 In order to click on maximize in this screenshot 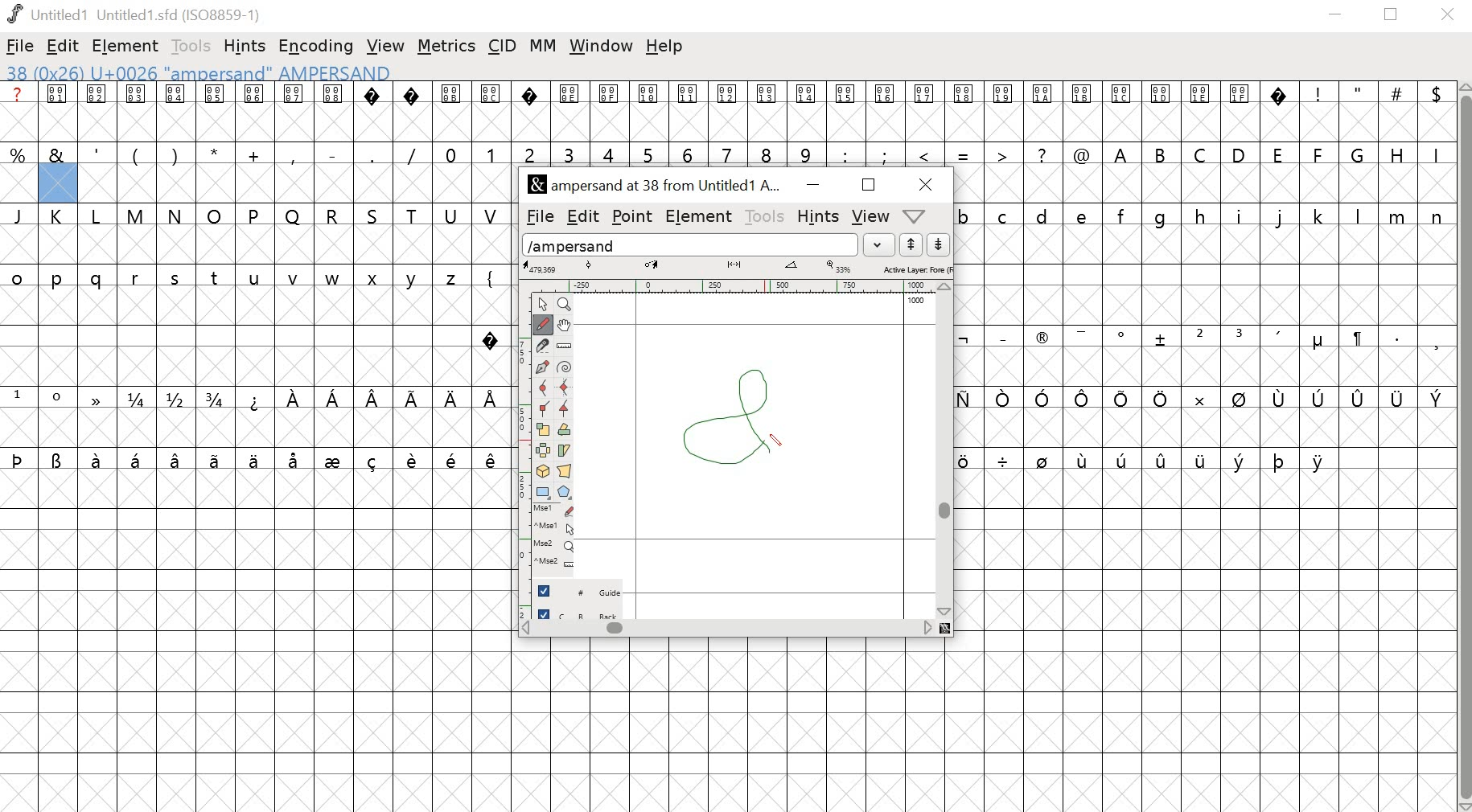, I will do `click(868, 186)`.